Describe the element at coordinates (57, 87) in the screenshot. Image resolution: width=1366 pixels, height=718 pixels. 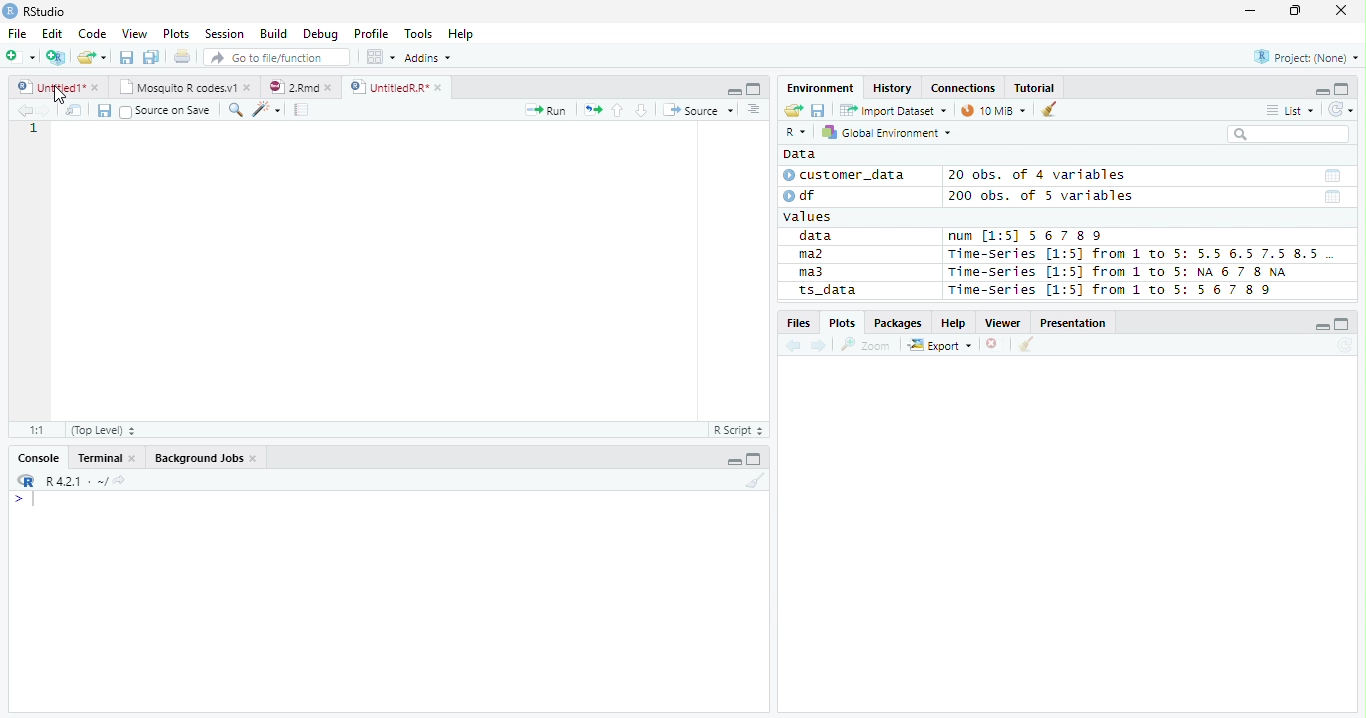
I see `Untitiled1` at that location.